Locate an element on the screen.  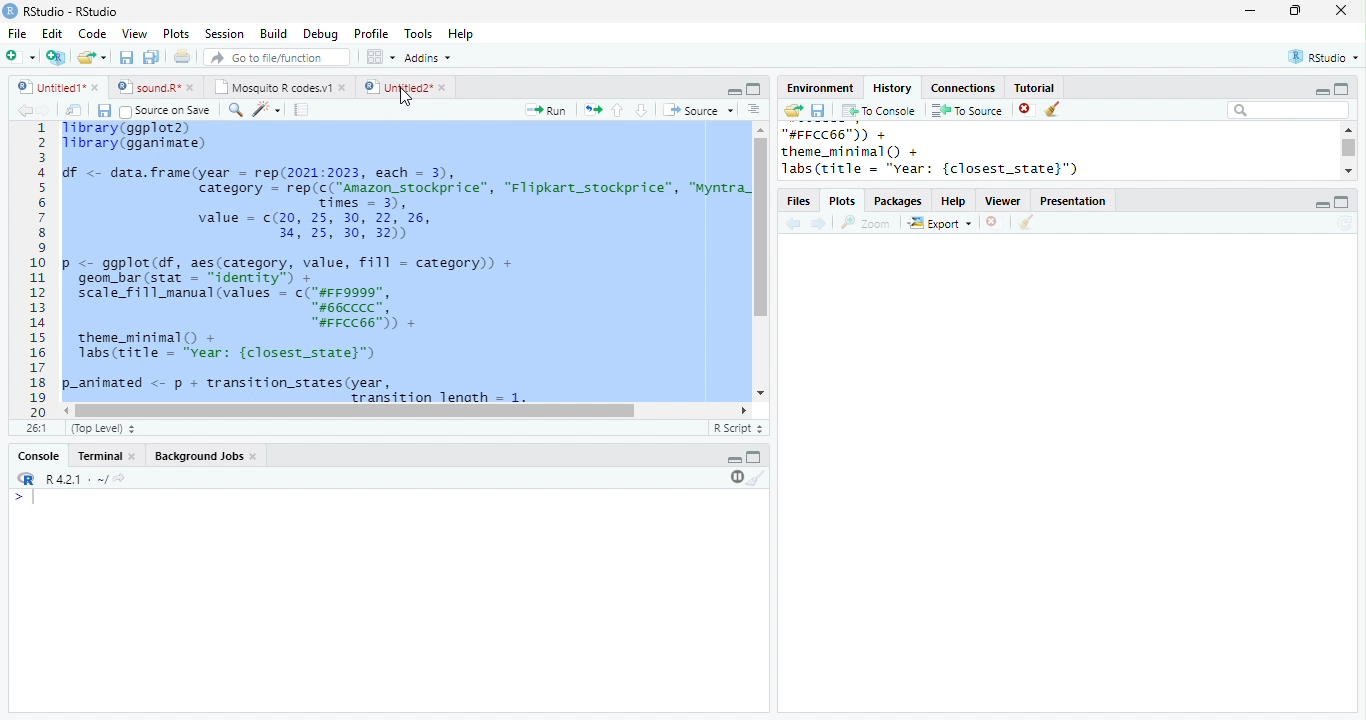
show in new window is located at coordinates (74, 110).